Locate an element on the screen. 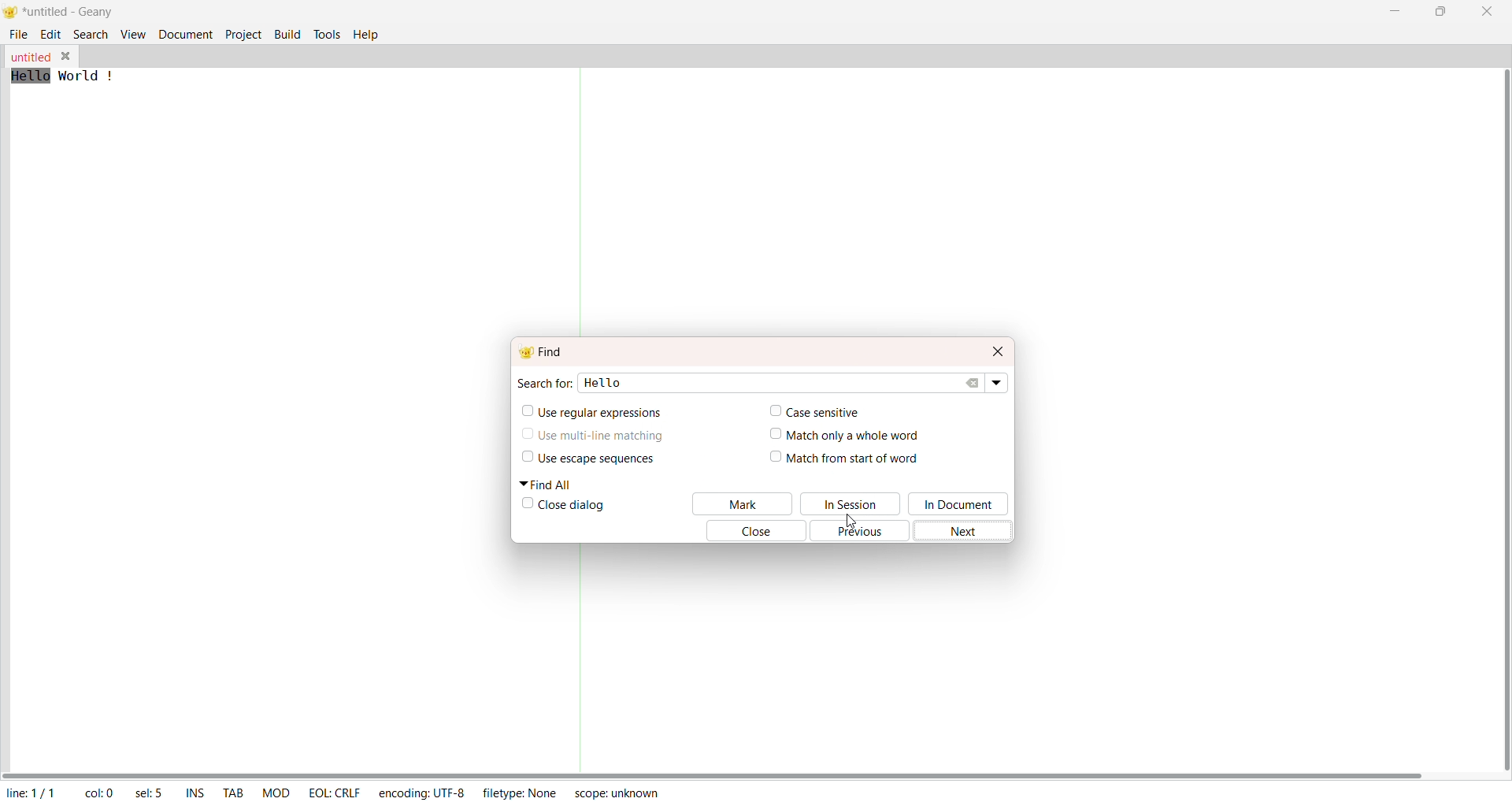  TAB is located at coordinates (231, 789).